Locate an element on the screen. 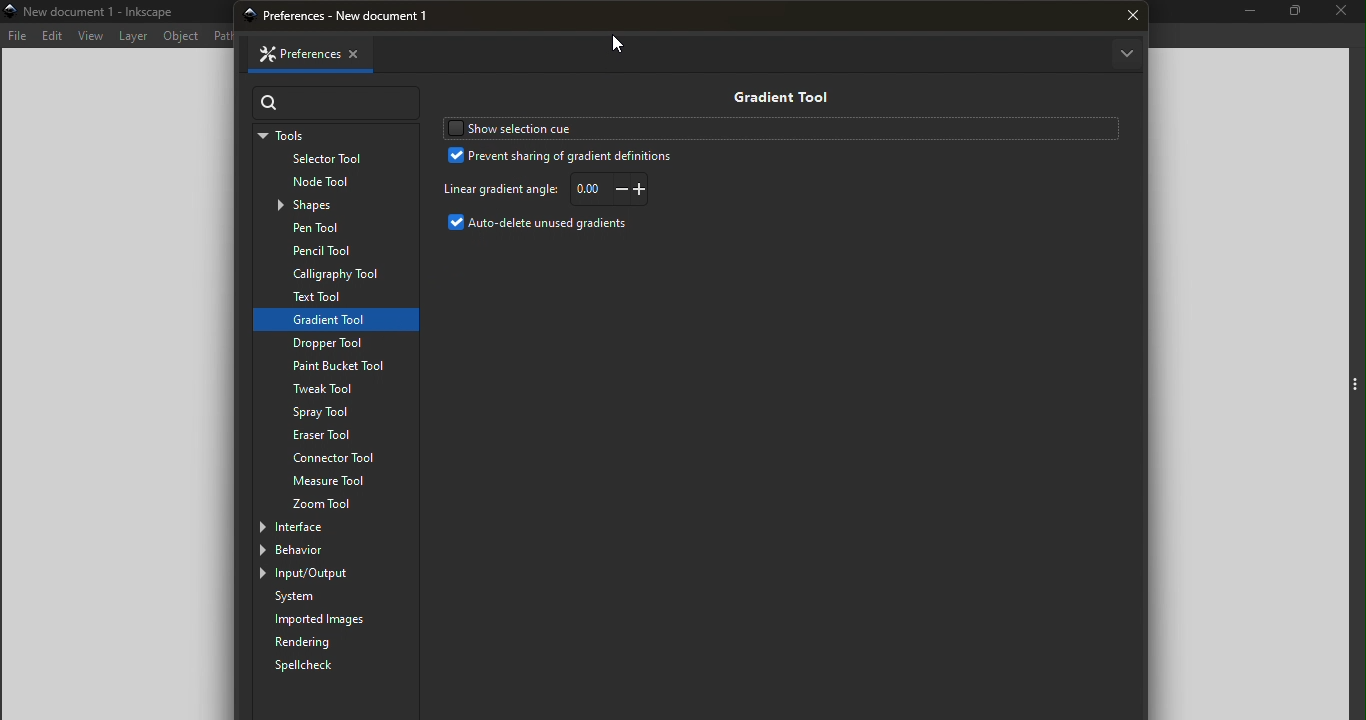  Object is located at coordinates (183, 36).